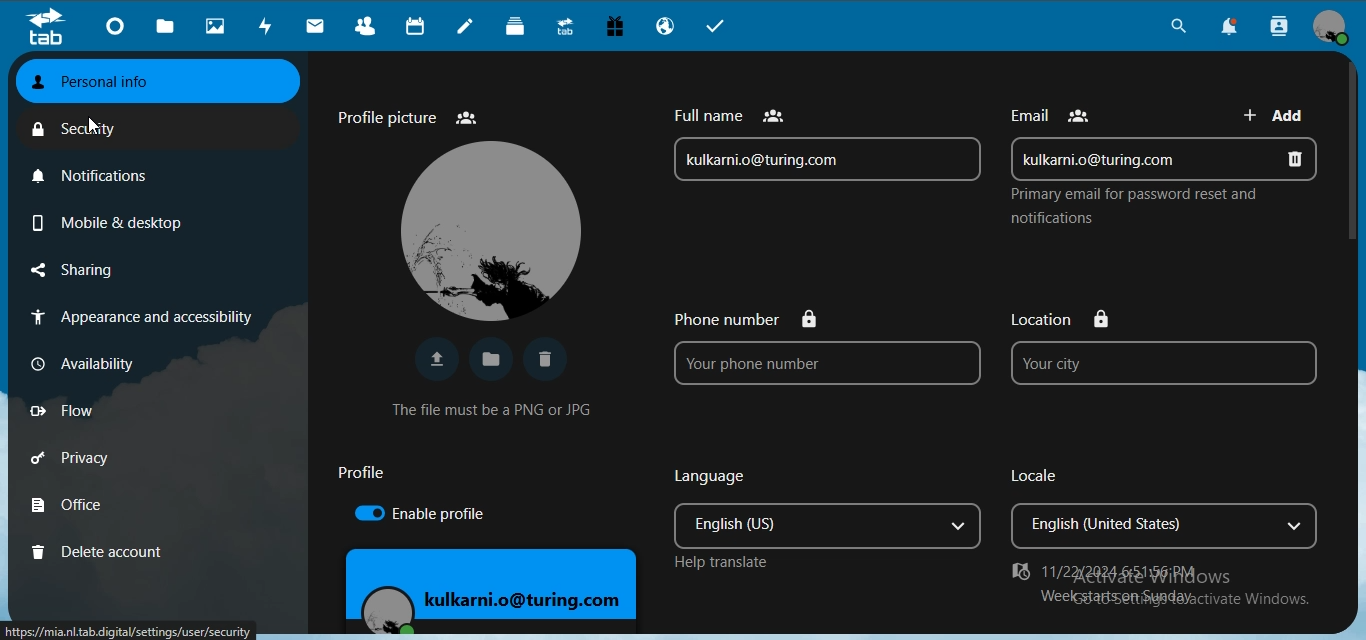  I want to click on dropdown, so click(1301, 526).